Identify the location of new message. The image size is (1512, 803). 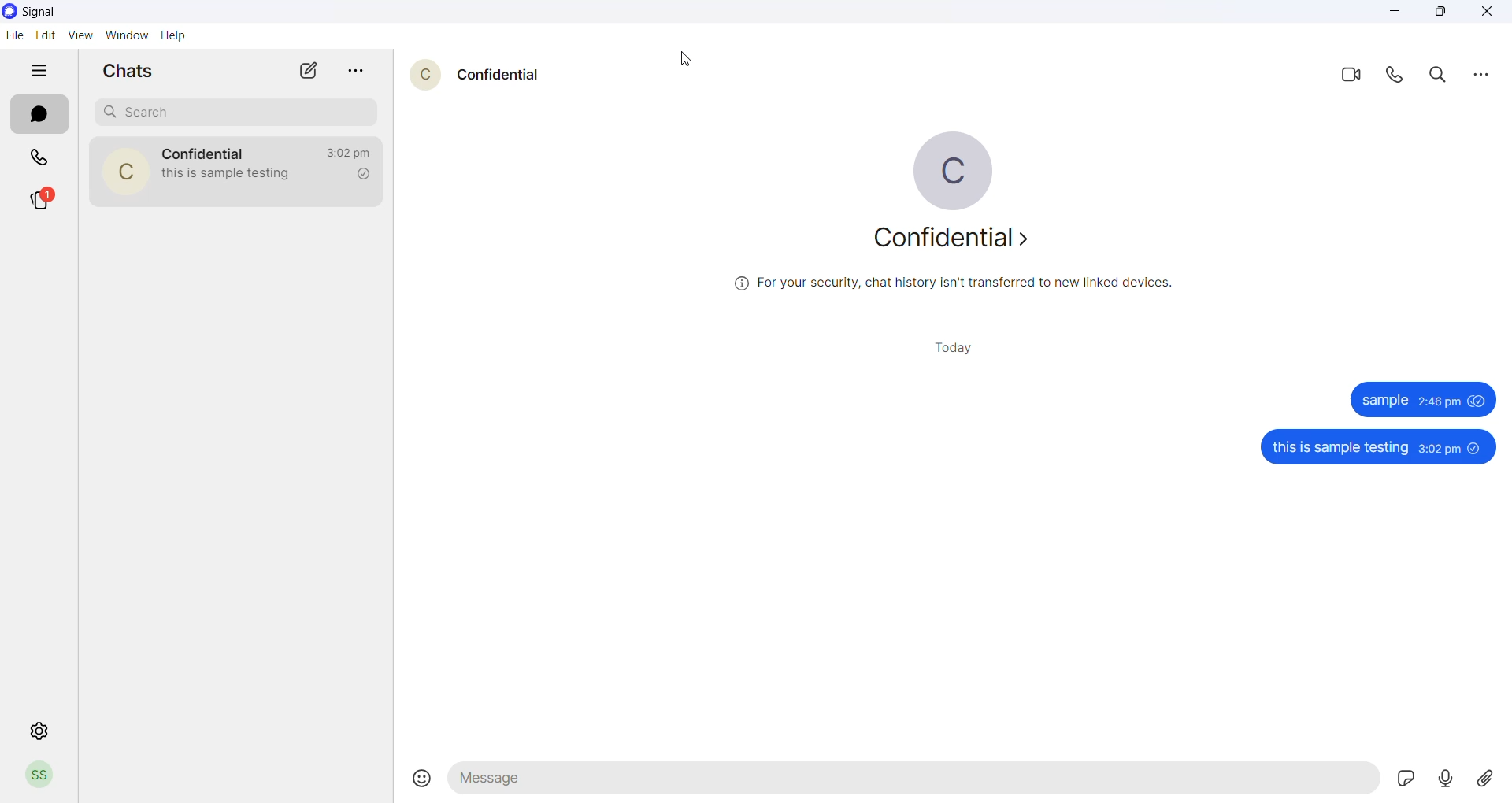
(310, 71).